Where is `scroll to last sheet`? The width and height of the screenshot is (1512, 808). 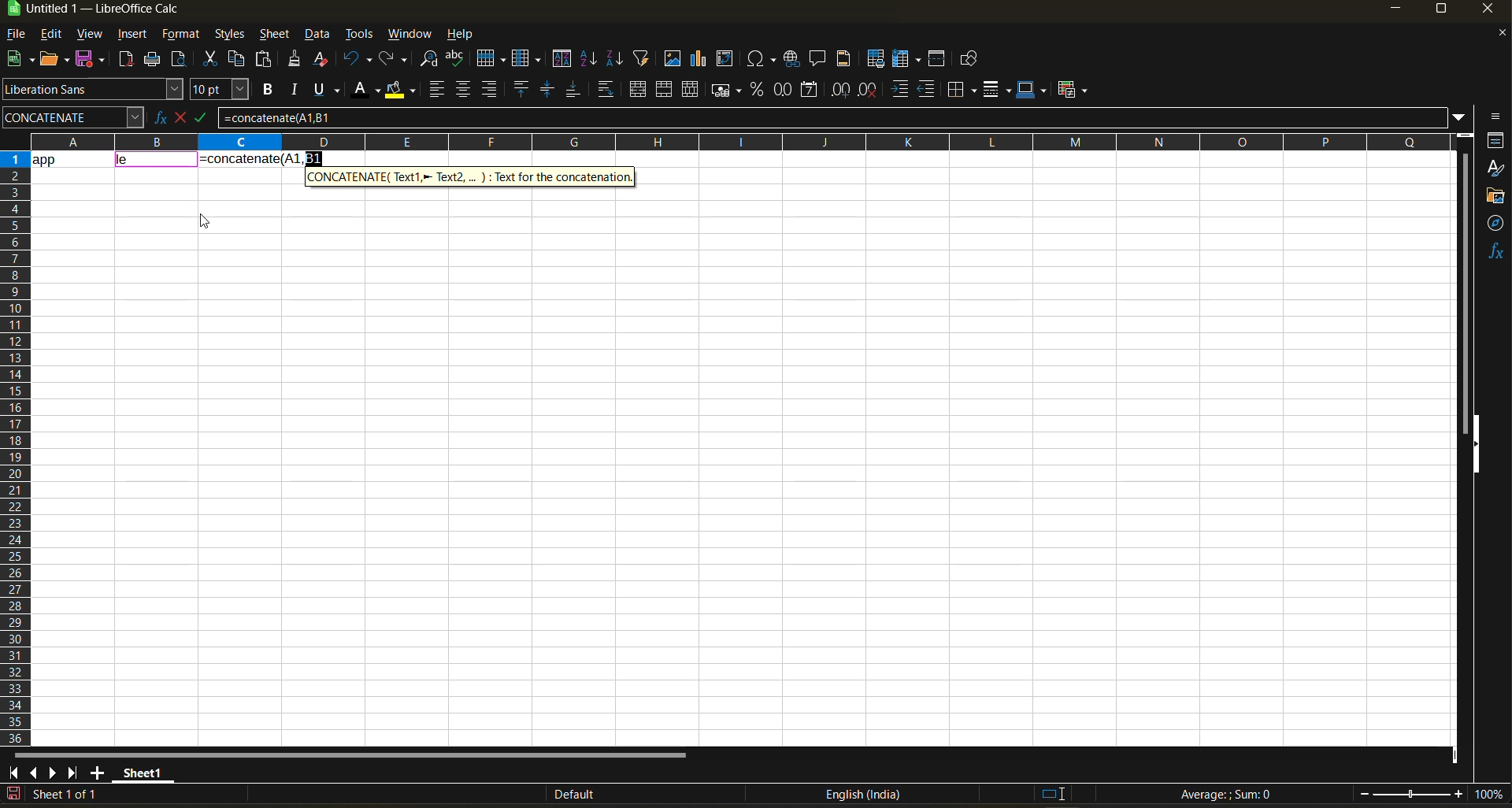 scroll to last sheet is located at coordinates (73, 773).